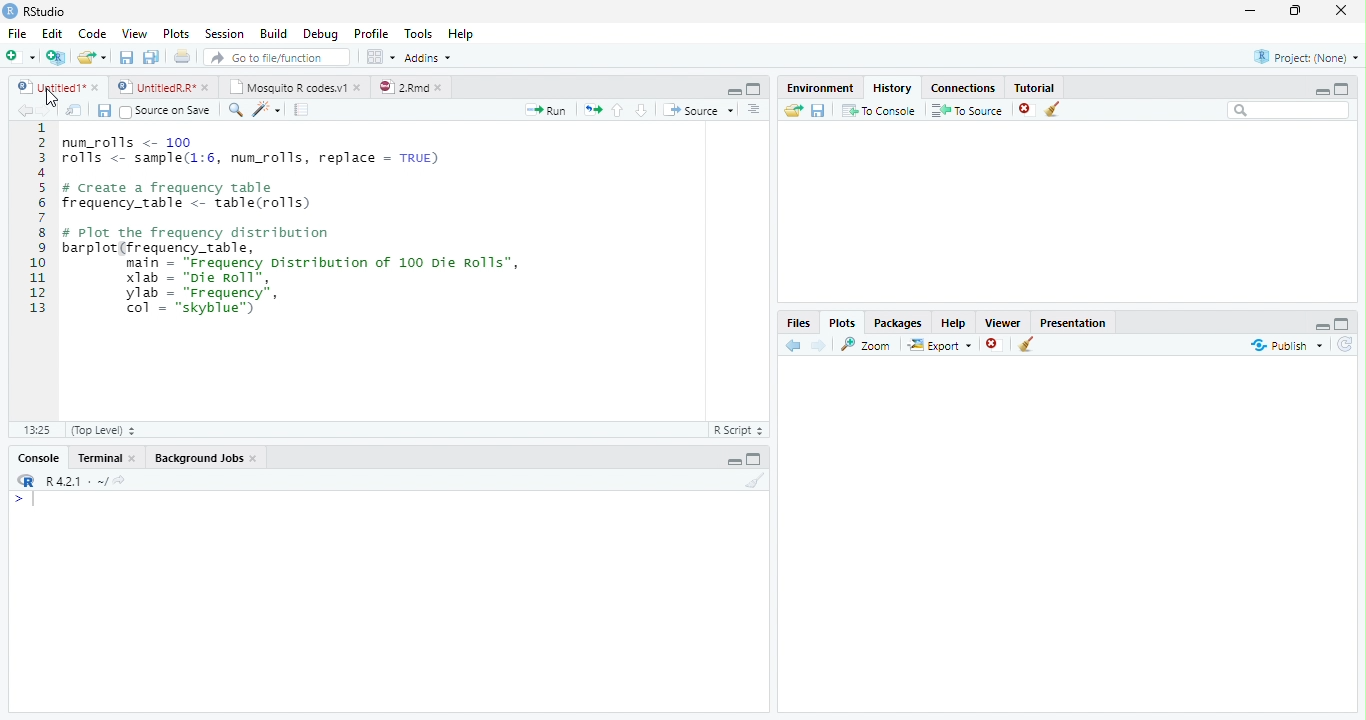 The height and width of the screenshot is (720, 1366). I want to click on Help, so click(463, 33).